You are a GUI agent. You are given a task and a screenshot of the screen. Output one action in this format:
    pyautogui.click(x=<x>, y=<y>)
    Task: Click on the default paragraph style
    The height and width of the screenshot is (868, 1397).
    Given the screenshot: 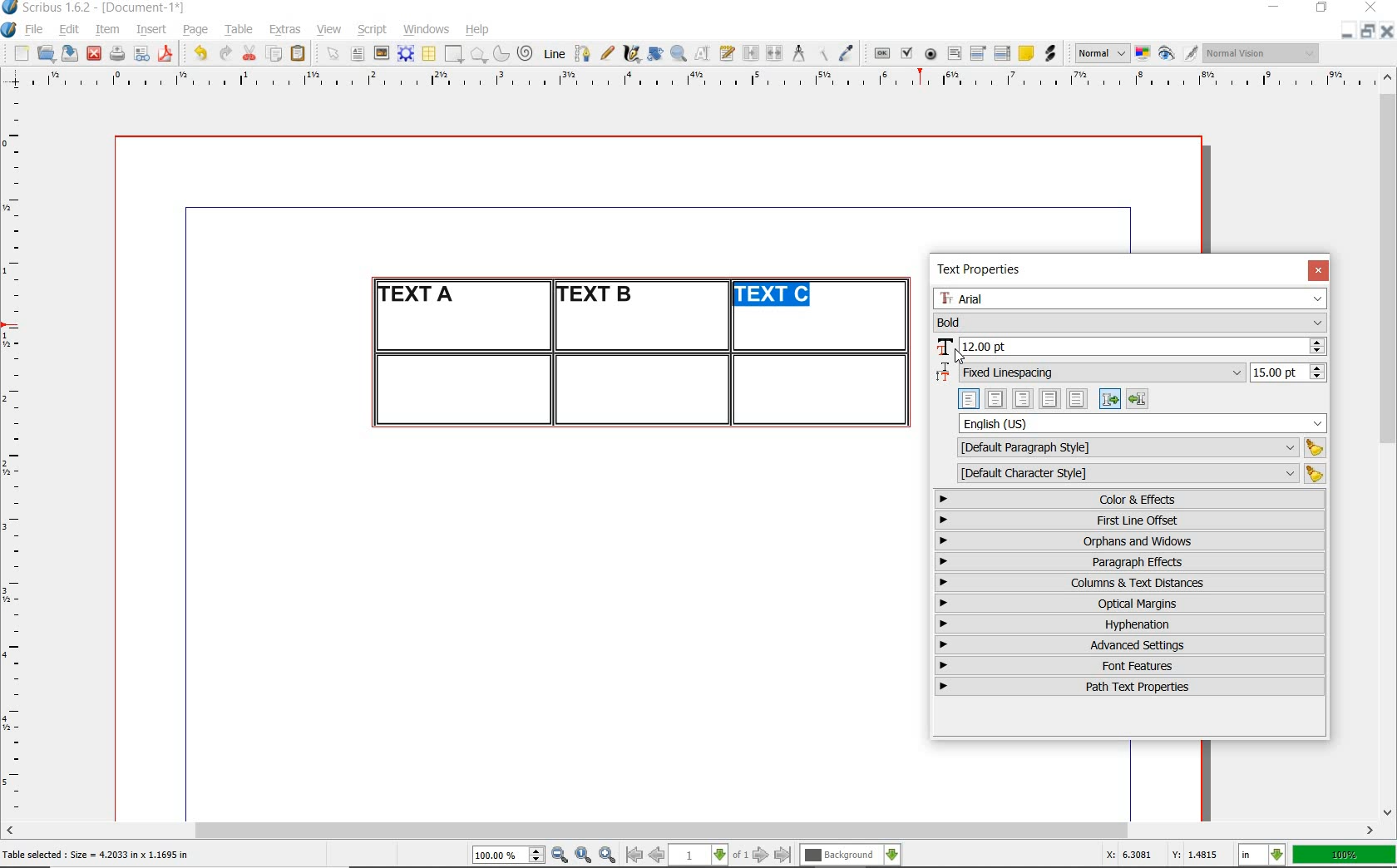 What is the action you would take?
    pyautogui.click(x=1138, y=448)
    